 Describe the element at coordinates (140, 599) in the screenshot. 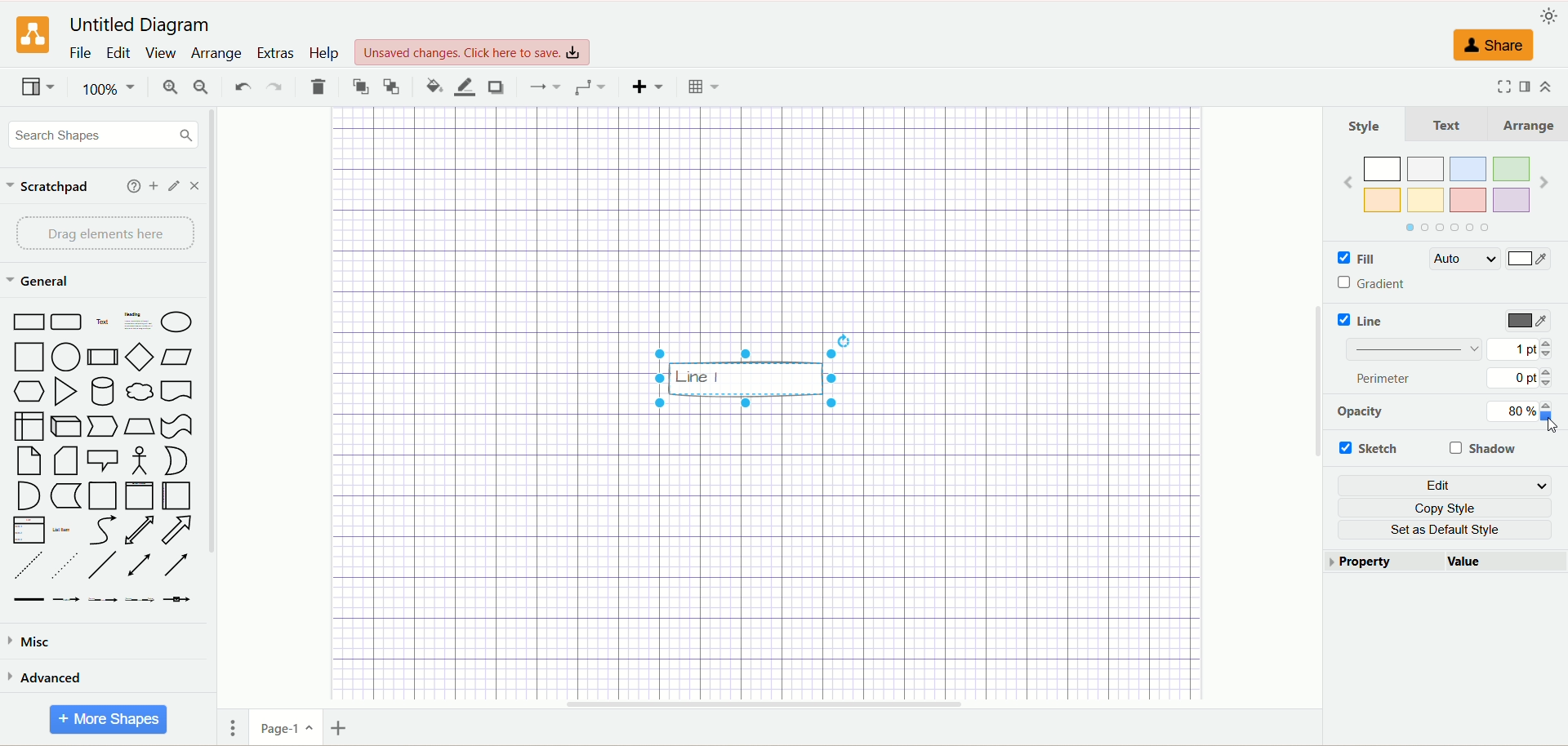

I see `Connector with 3 labels` at that location.